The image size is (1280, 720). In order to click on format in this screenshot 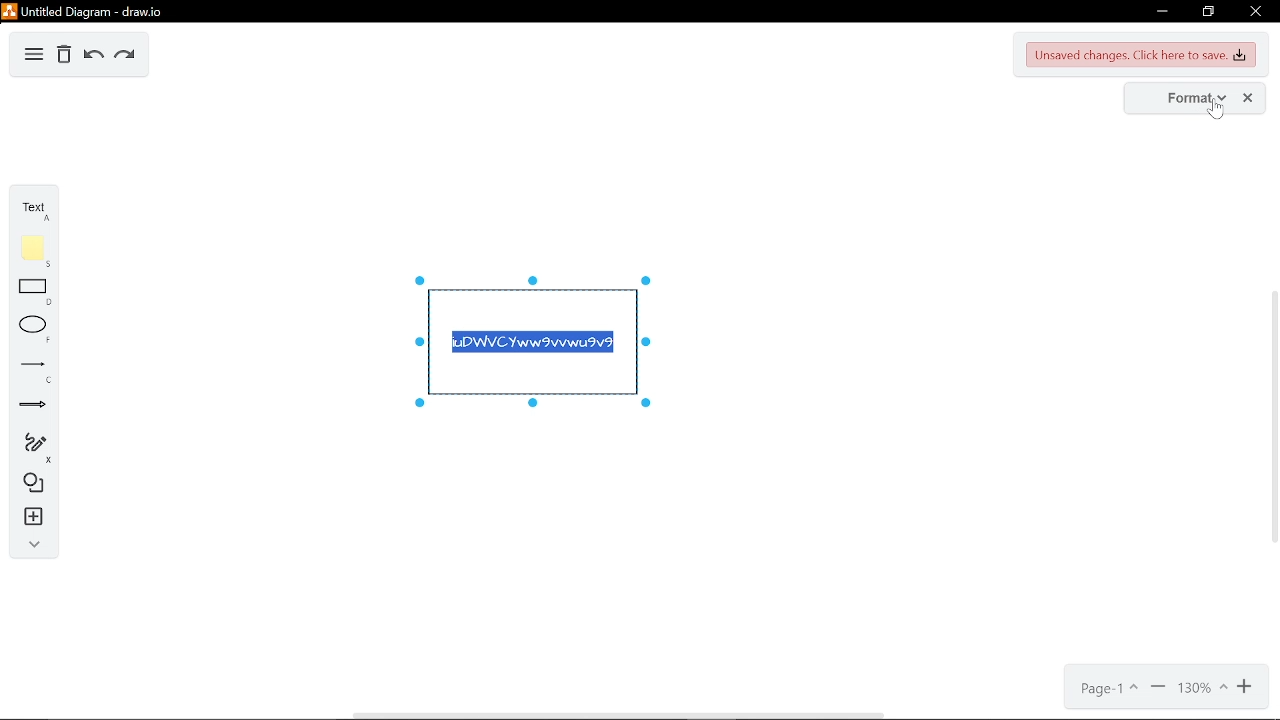, I will do `click(1183, 98)`.